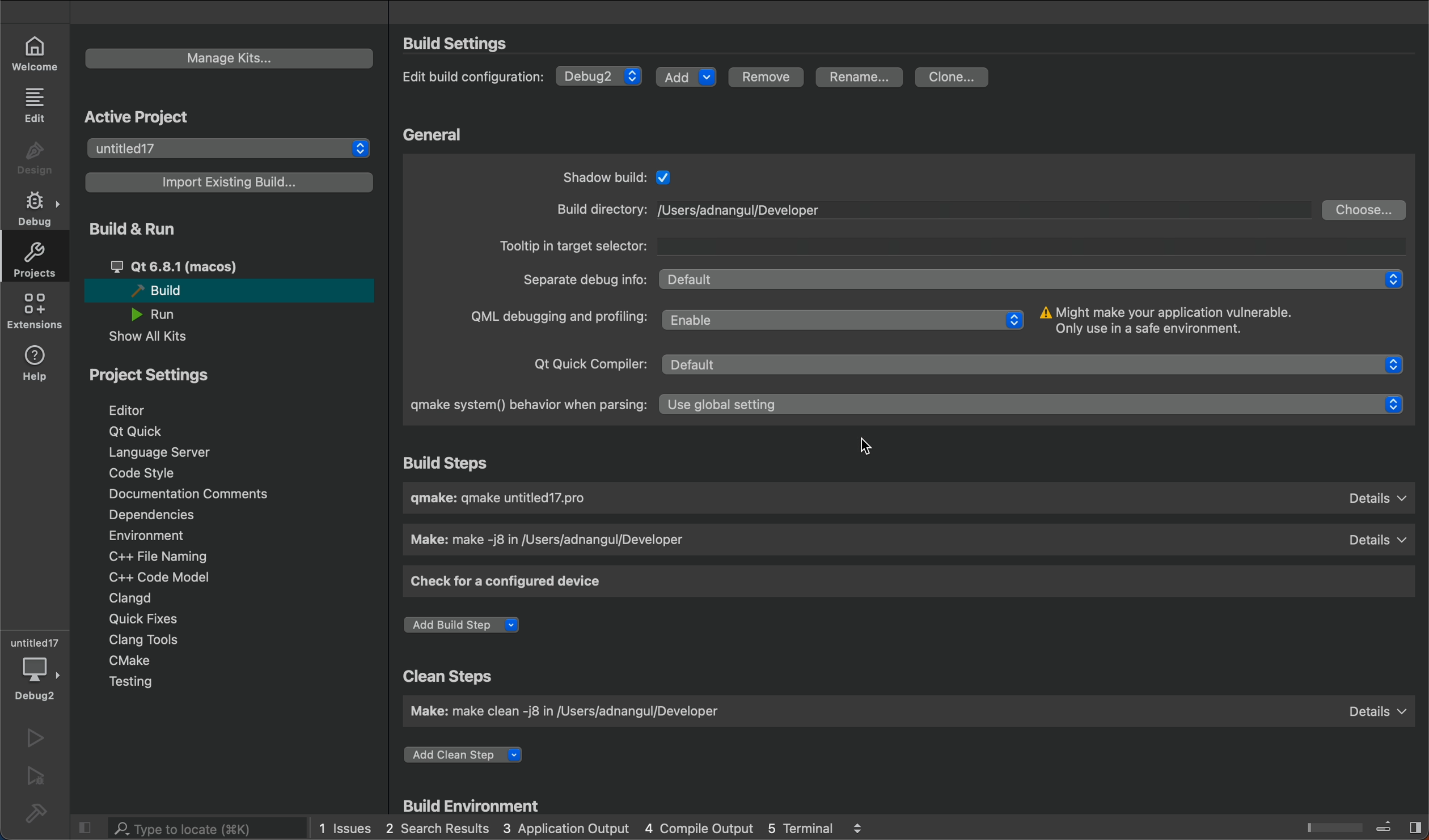  What do you see at coordinates (228, 182) in the screenshot?
I see `import a build` at bounding box center [228, 182].